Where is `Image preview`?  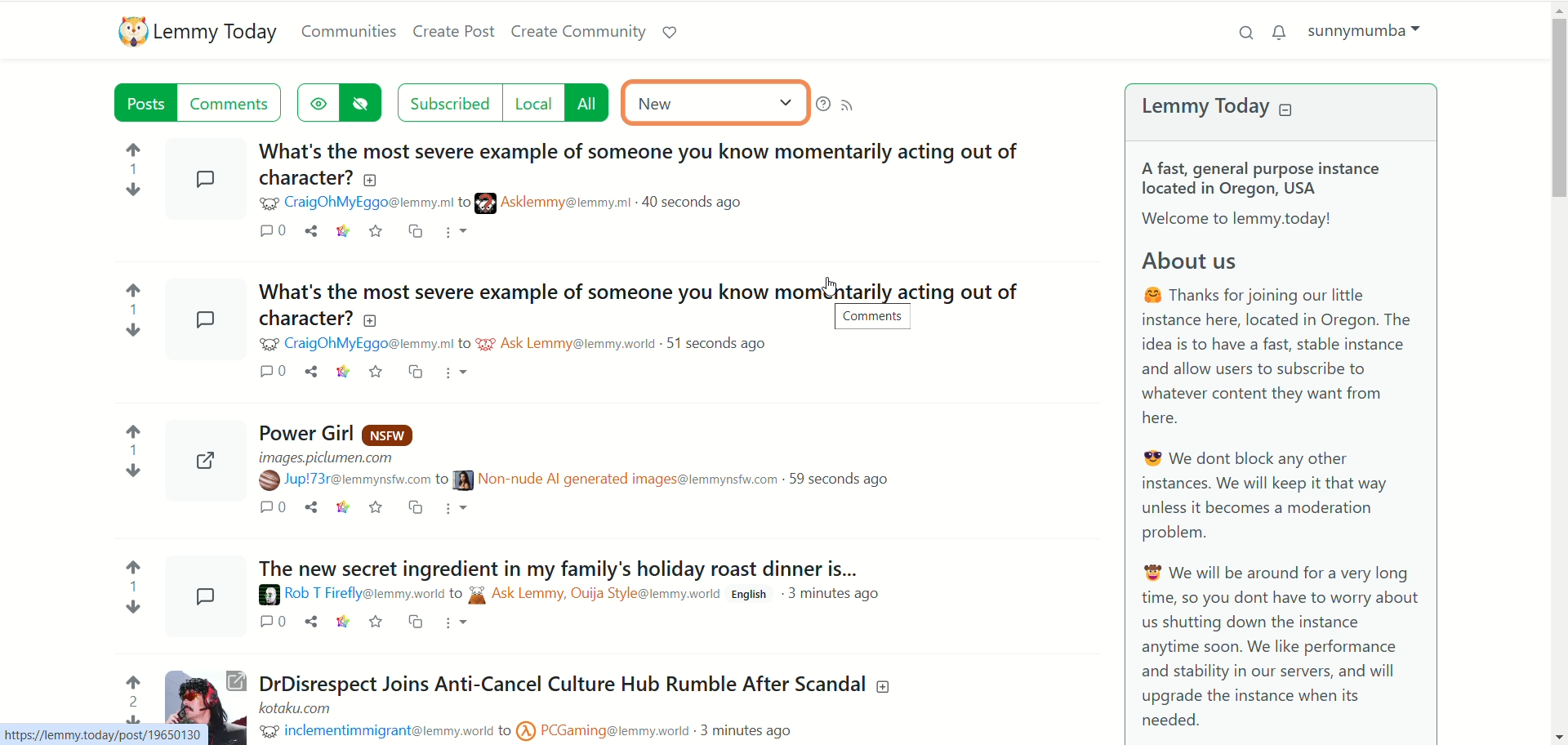
Image preview is located at coordinates (202, 454).